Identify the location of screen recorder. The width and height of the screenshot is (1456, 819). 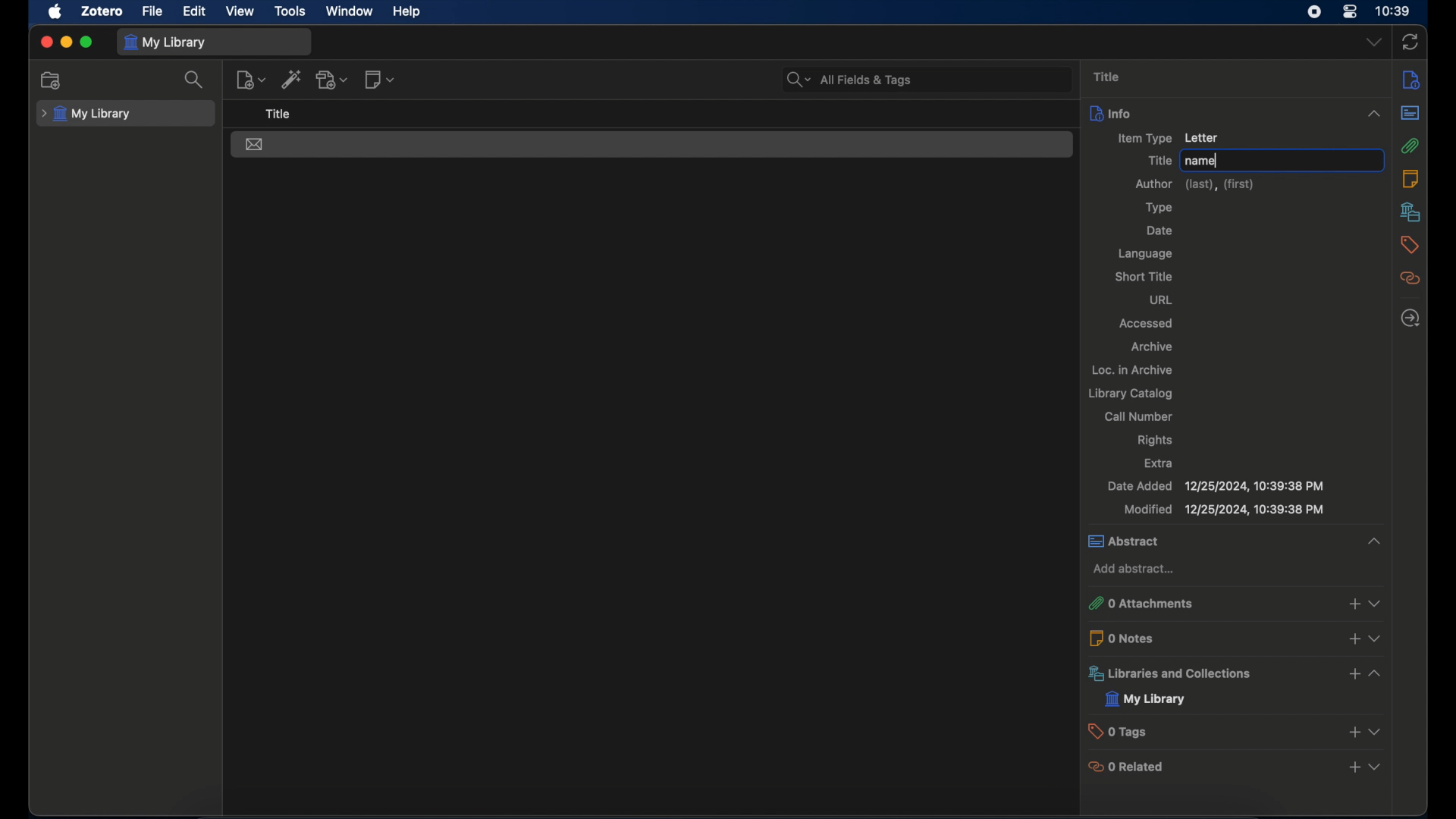
(1314, 12).